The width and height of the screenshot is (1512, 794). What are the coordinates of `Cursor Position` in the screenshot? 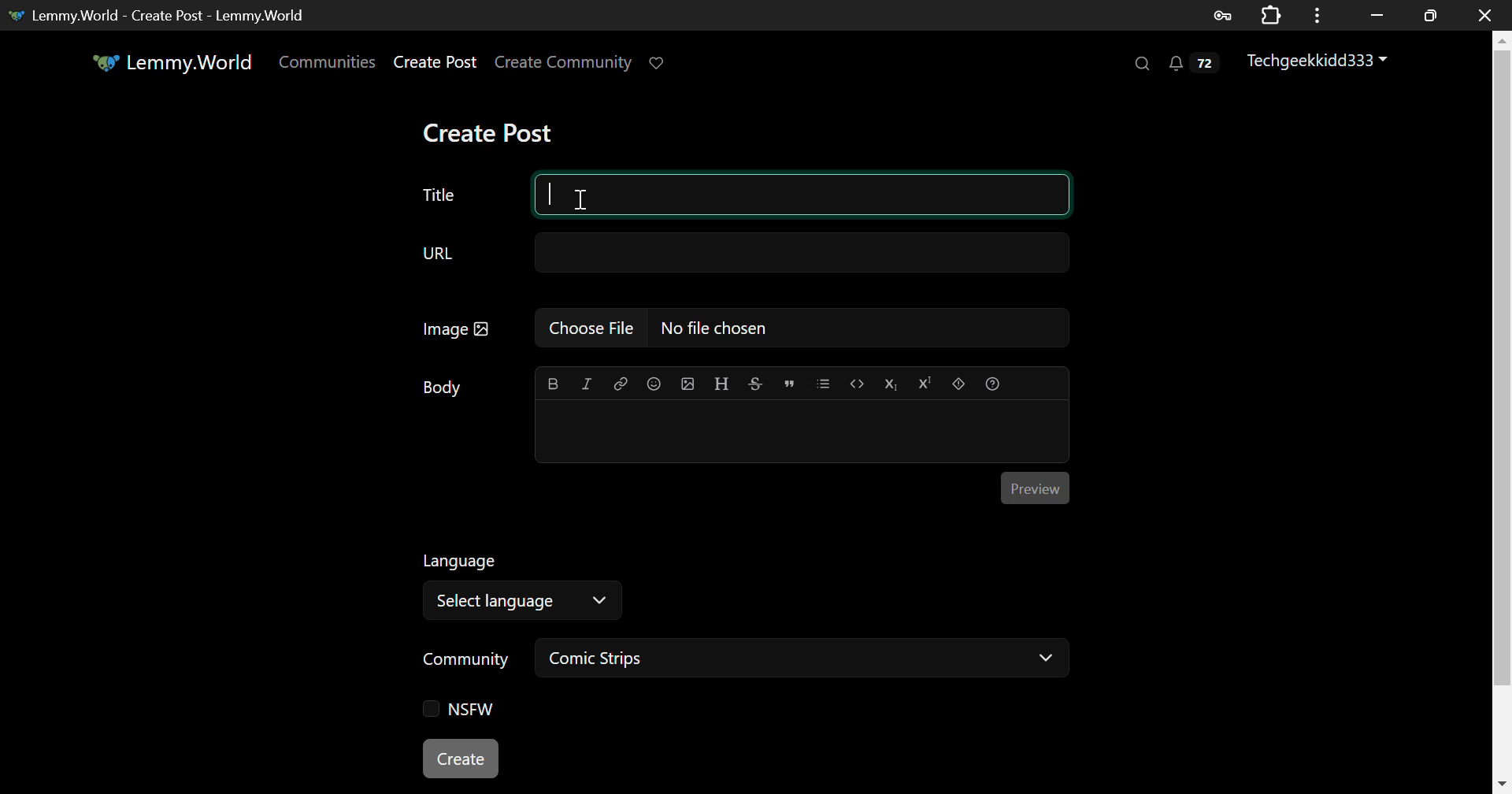 It's located at (581, 199).